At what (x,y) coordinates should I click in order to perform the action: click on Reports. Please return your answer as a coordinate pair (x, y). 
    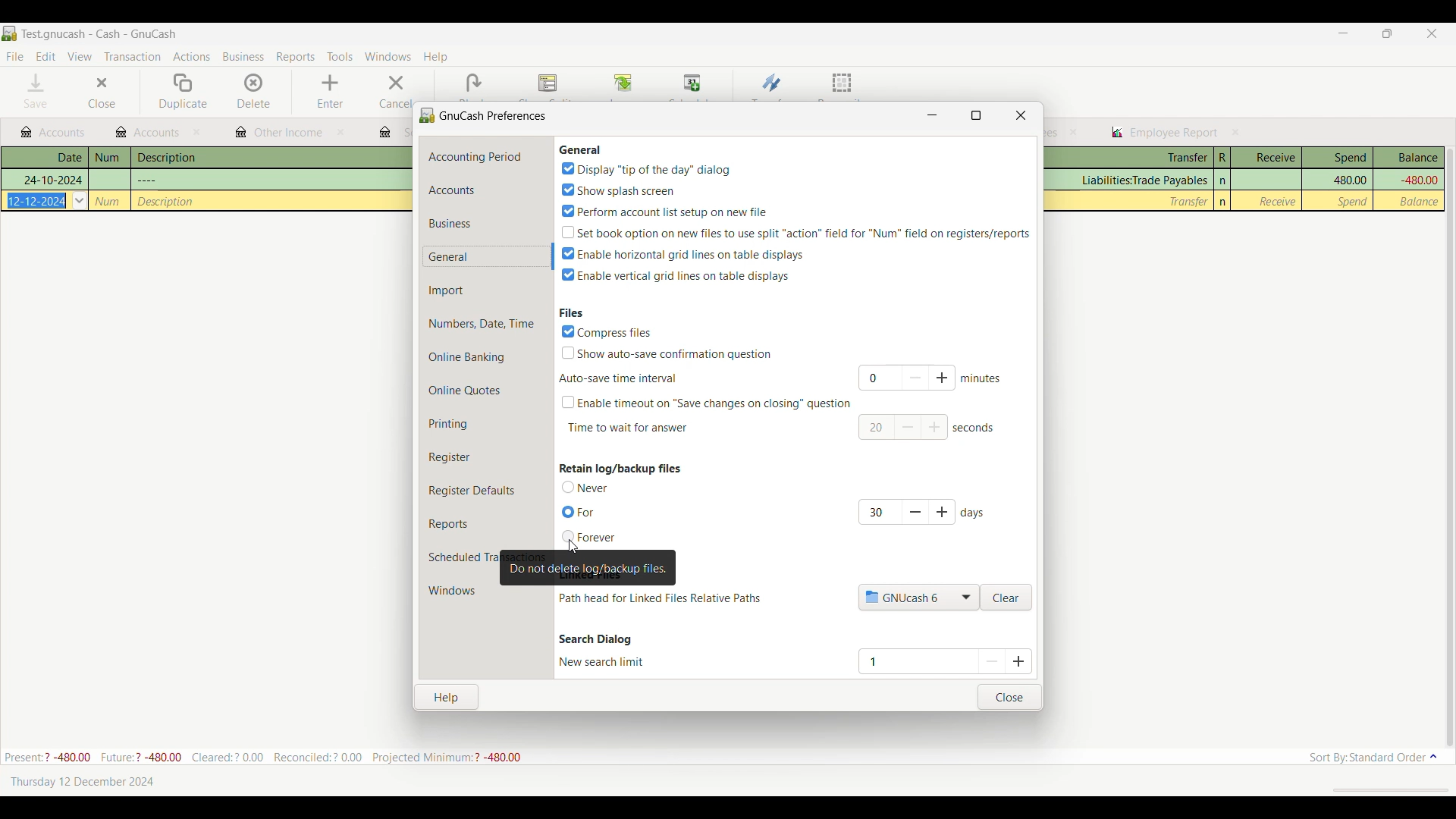
    Looking at the image, I should click on (486, 524).